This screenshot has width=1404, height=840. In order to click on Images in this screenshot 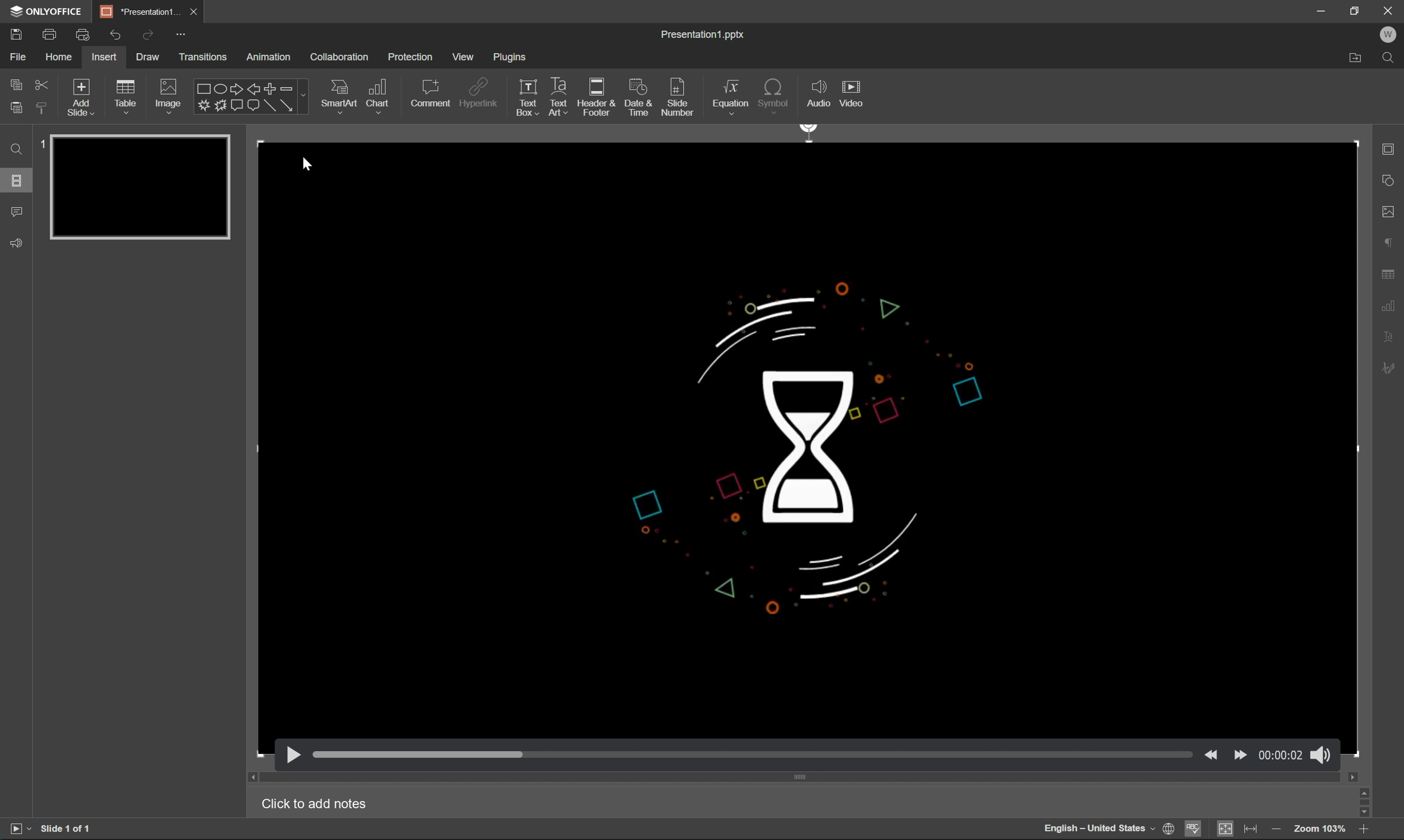, I will do `click(167, 96)`.